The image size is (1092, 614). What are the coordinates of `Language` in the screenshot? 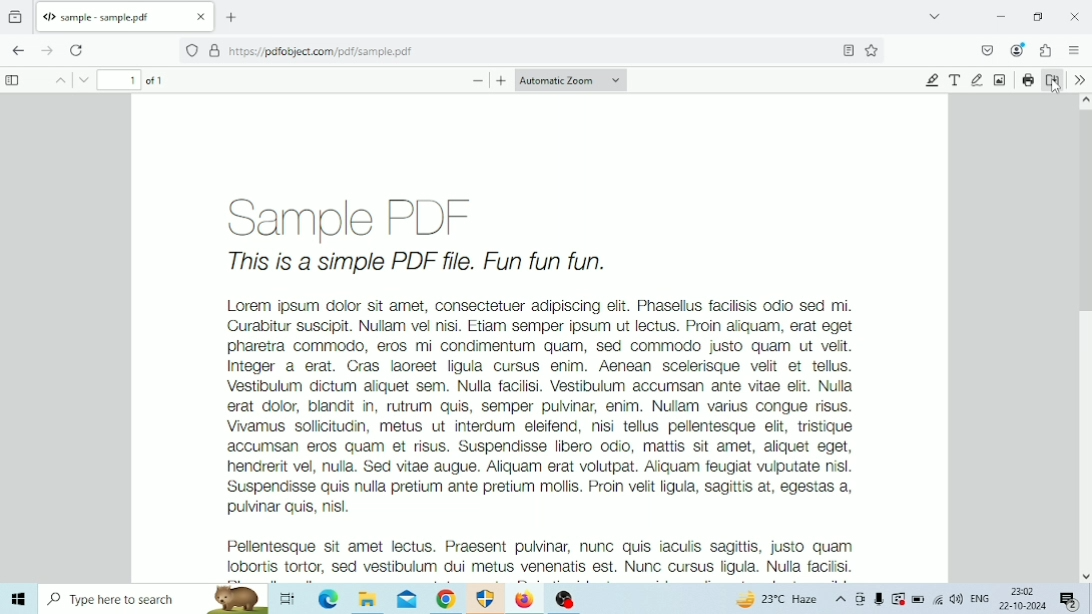 It's located at (981, 598).